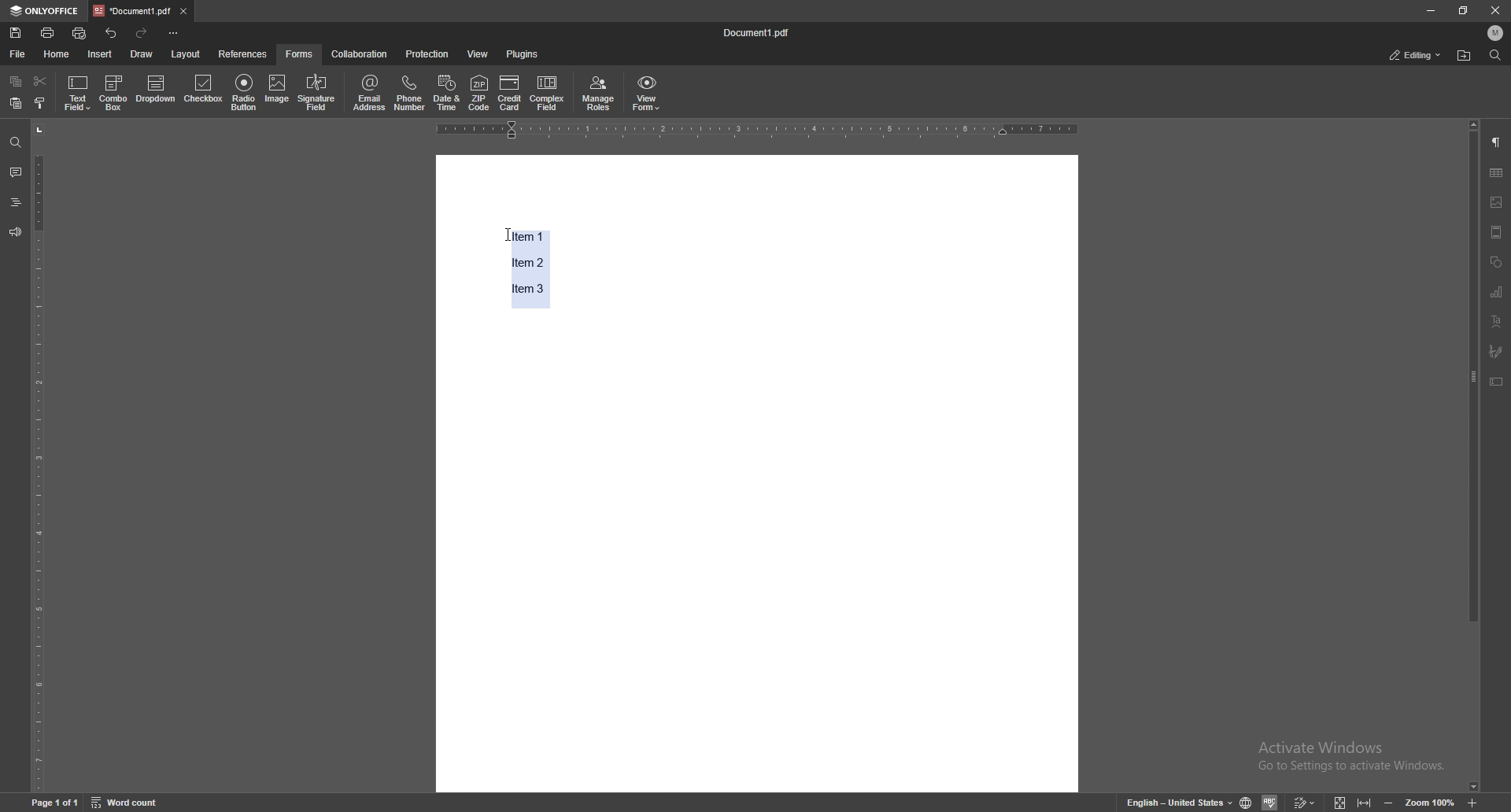 This screenshot has height=812, width=1511. I want to click on home, so click(60, 54).